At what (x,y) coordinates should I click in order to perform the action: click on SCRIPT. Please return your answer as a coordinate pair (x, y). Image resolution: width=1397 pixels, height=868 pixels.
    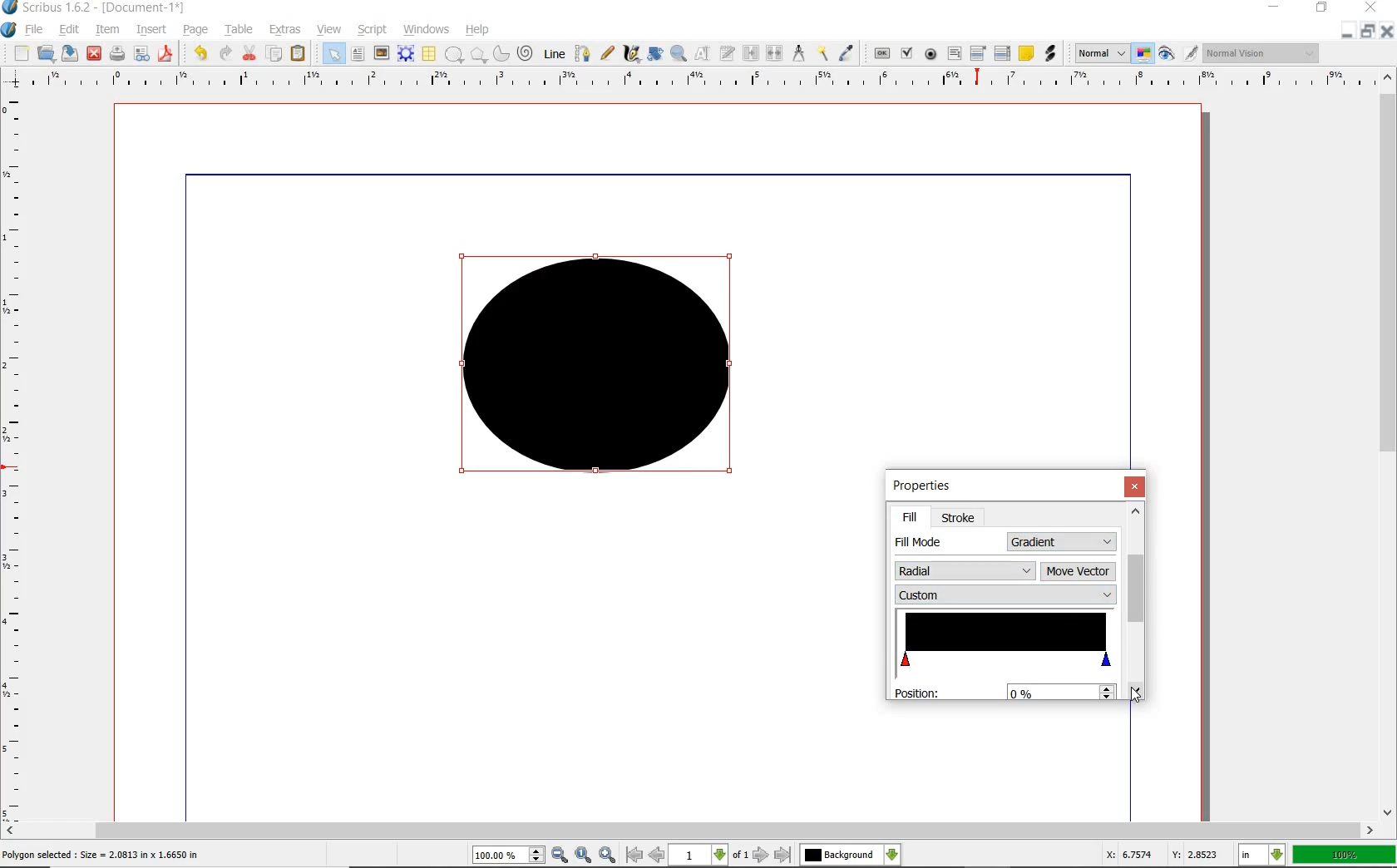
    Looking at the image, I should click on (370, 28).